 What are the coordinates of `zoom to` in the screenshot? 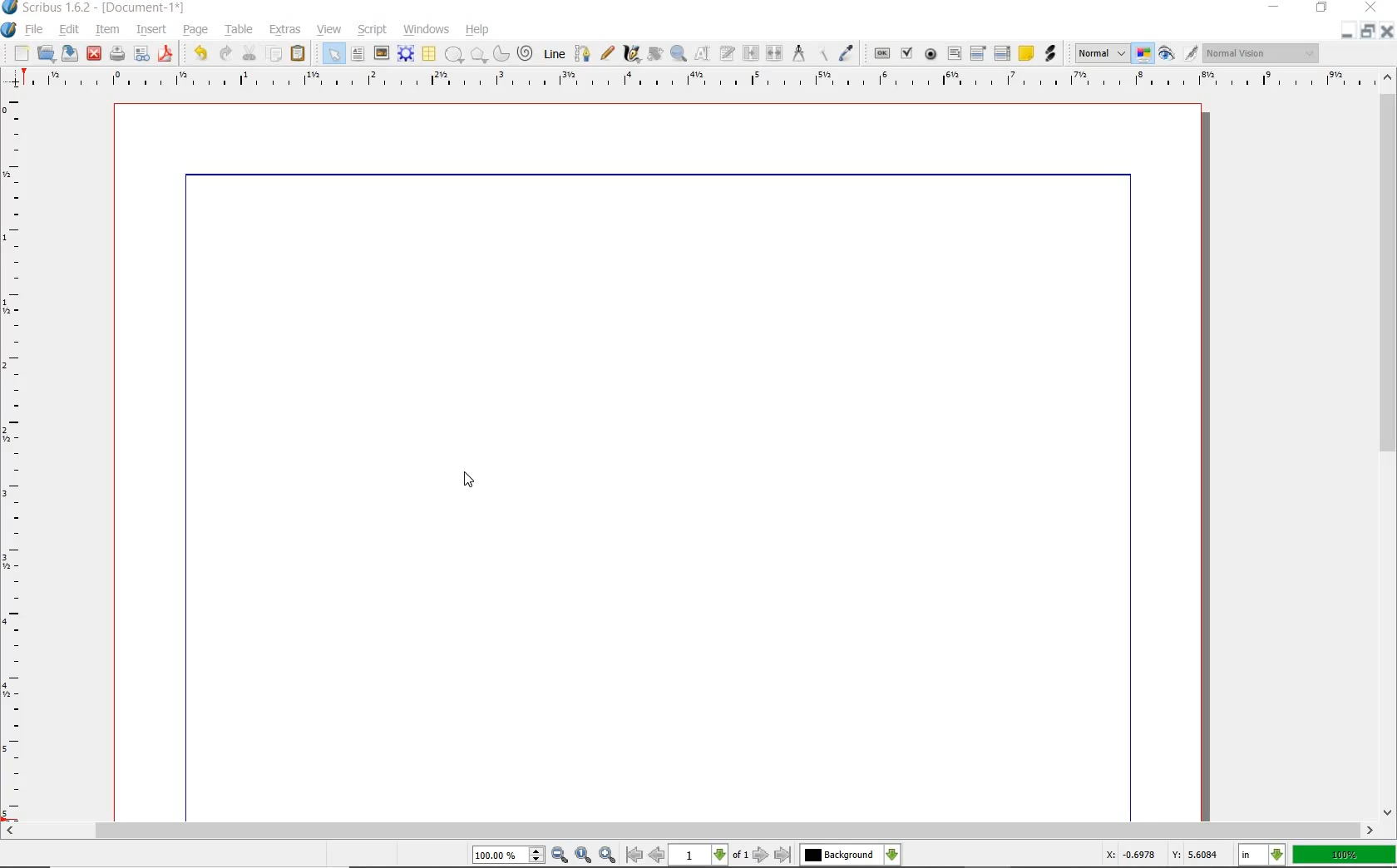 It's located at (585, 855).